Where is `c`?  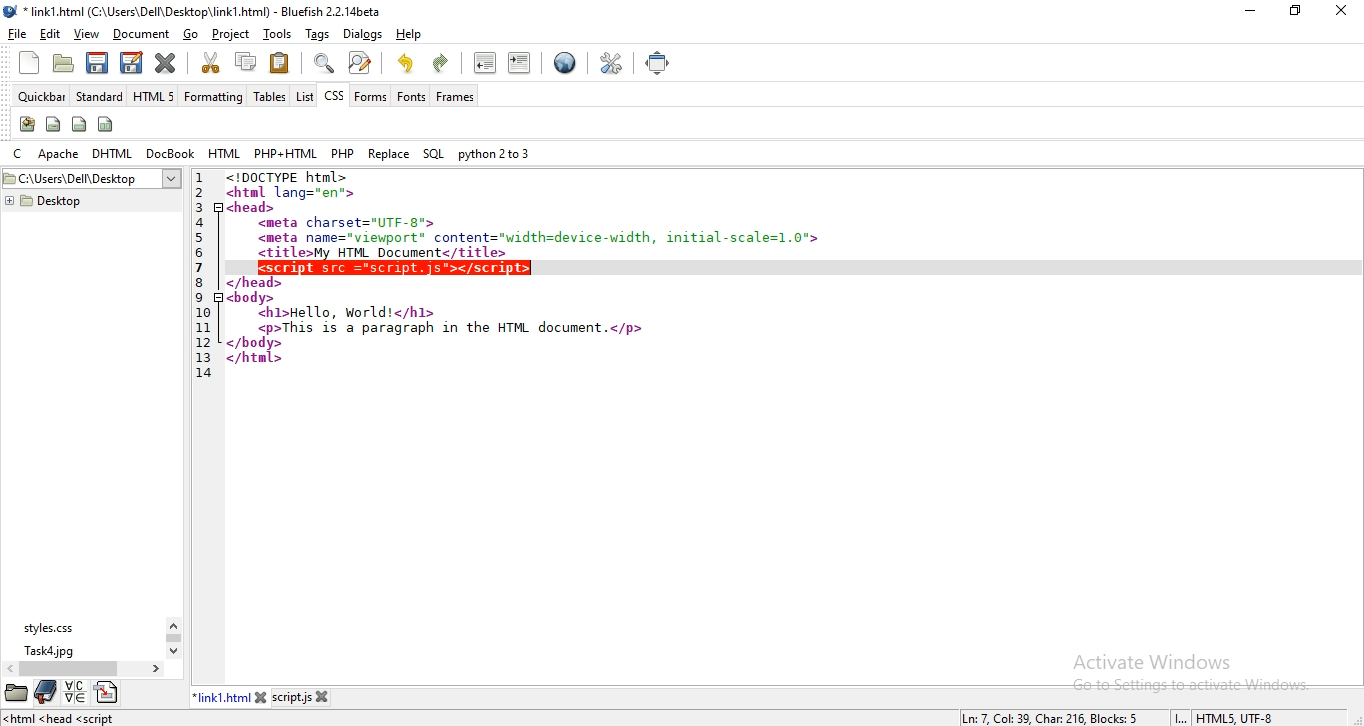
c is located at coordinates (20, 154).